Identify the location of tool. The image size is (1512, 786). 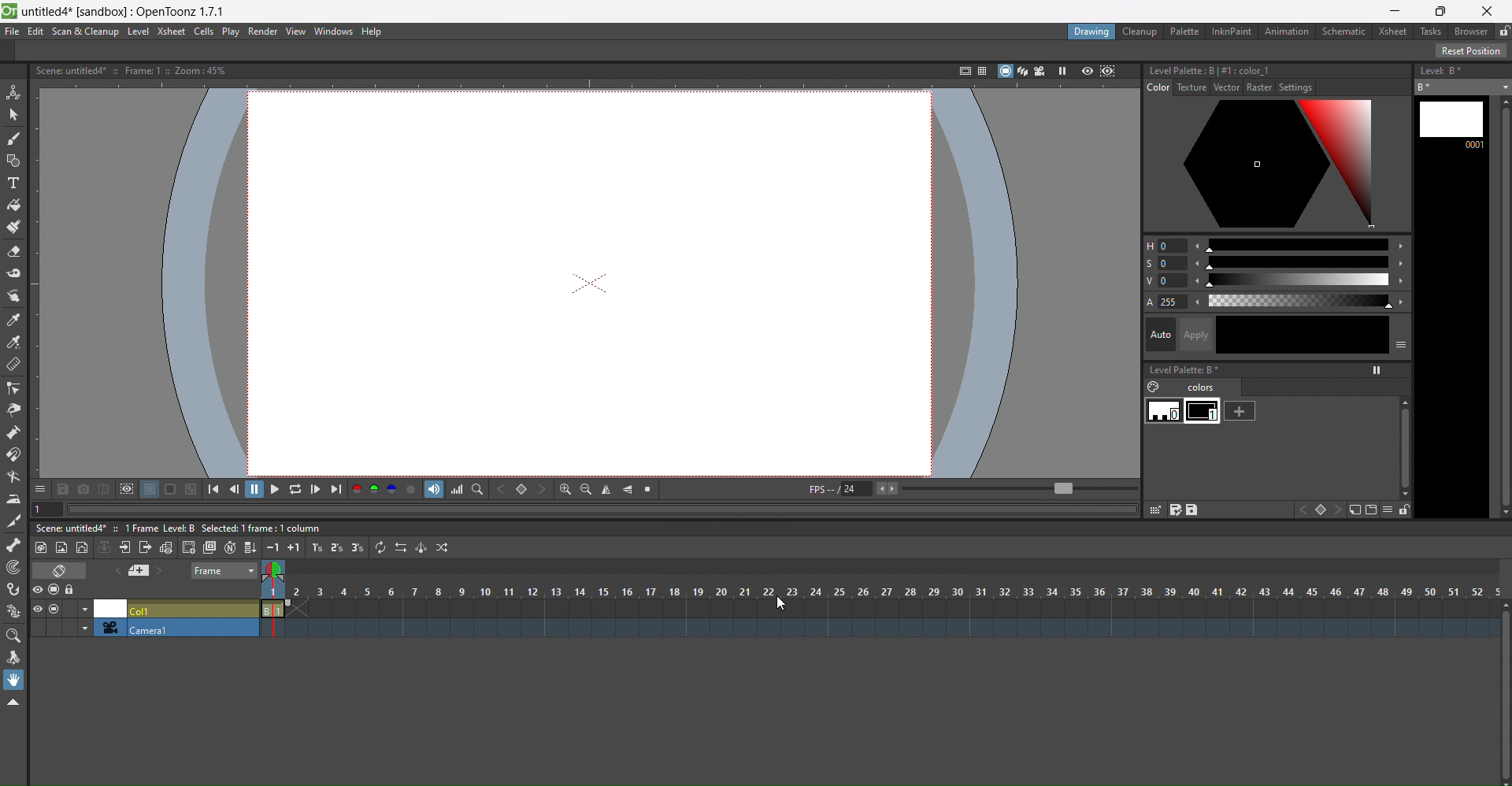
(191, 488).